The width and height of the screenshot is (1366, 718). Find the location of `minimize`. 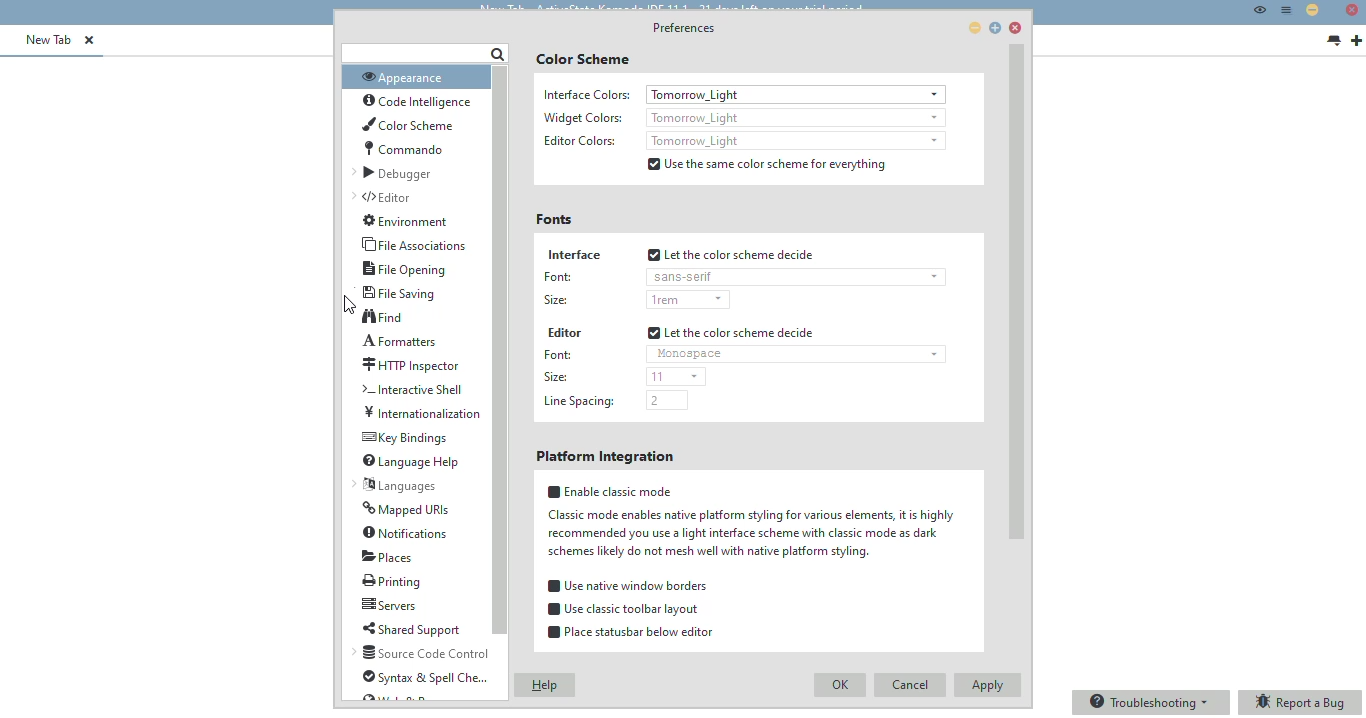

minimize is located at coordinates (1312, 9).